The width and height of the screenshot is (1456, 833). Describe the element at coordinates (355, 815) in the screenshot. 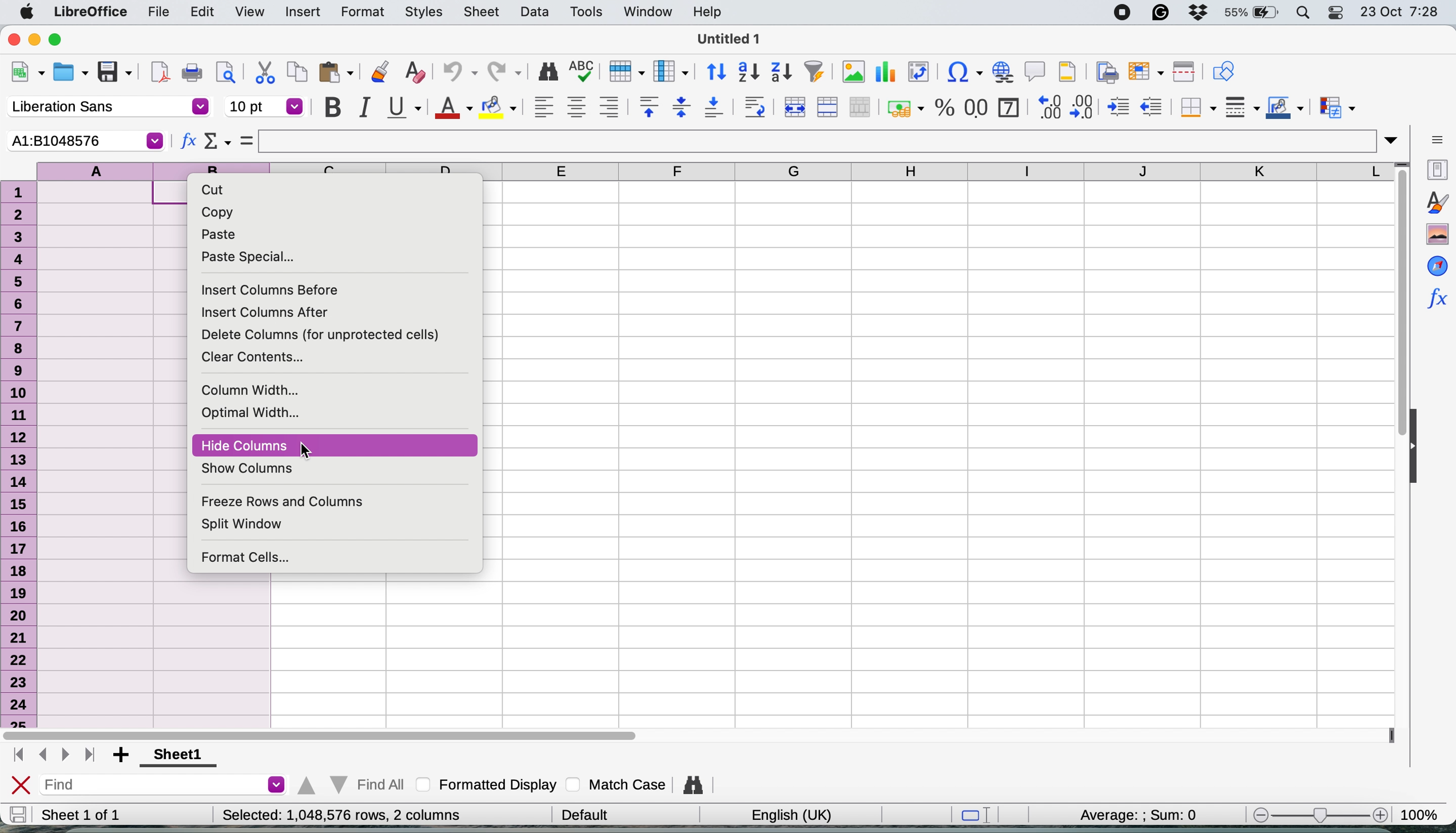

I see `Selected: 1,048,576 rows, 2 columns` at that location.